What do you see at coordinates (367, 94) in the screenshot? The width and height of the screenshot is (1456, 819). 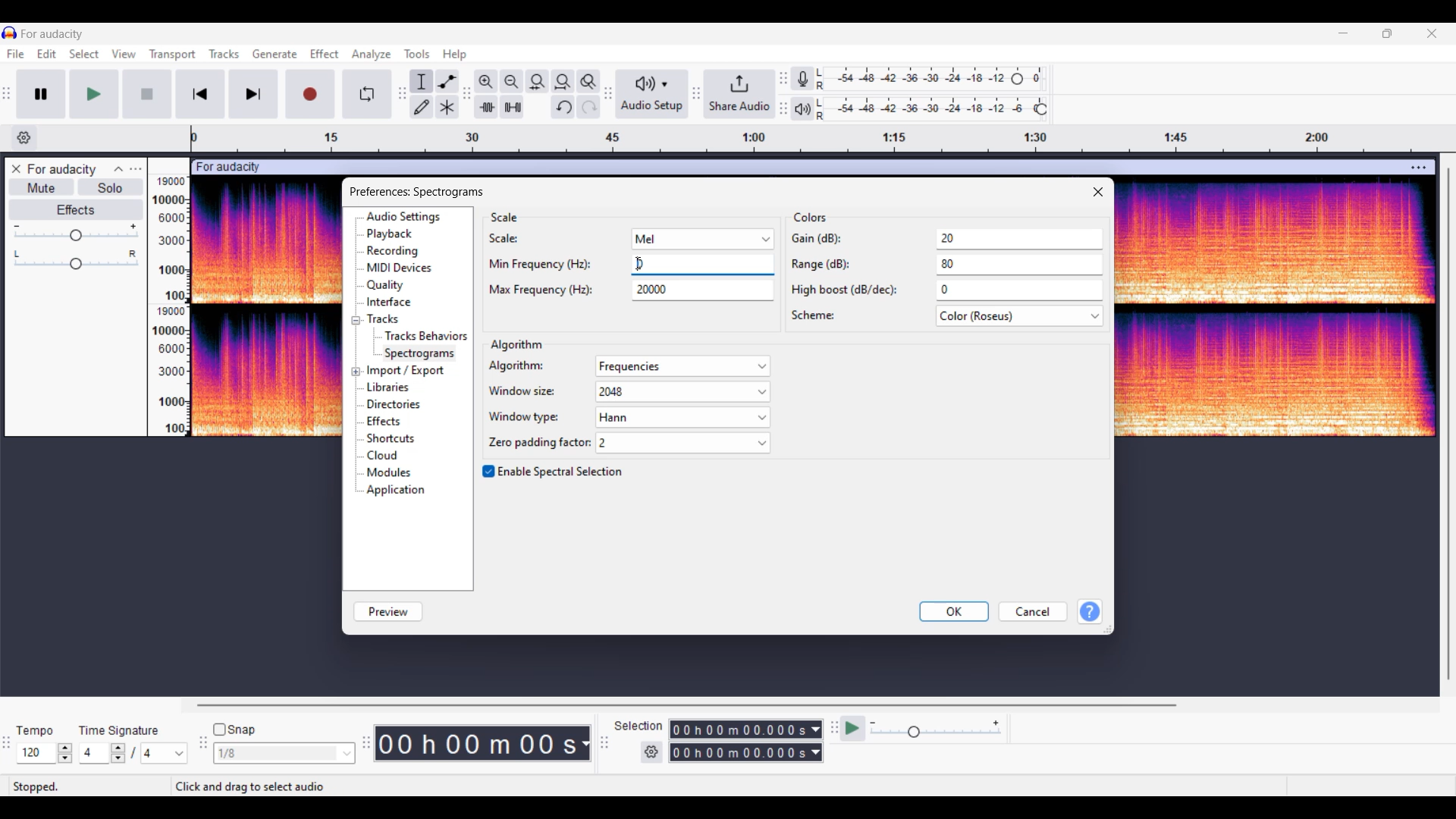 I see `Enable looping` at bounding box center [367, 94].